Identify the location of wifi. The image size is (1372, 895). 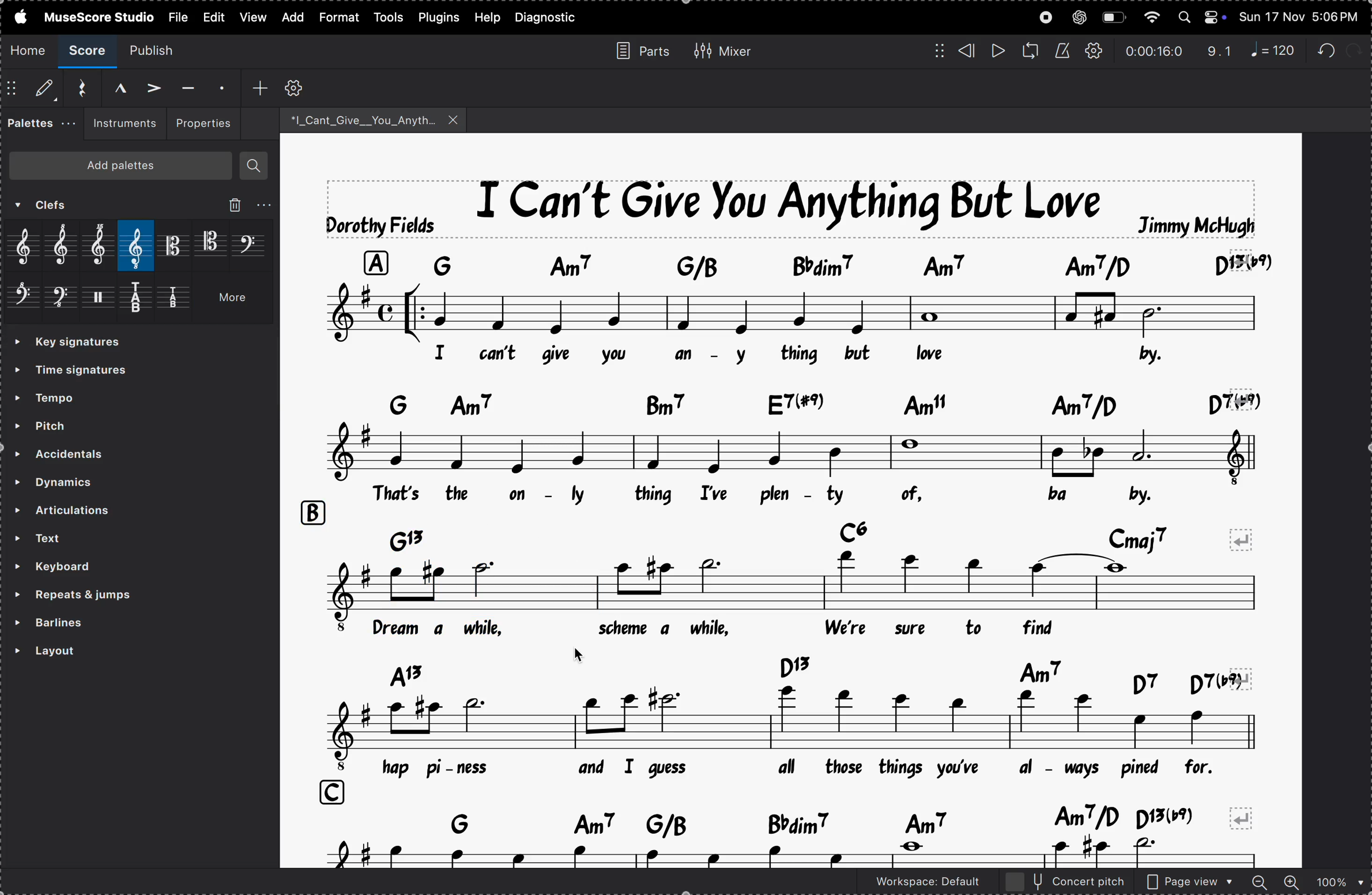
(1150, 18).